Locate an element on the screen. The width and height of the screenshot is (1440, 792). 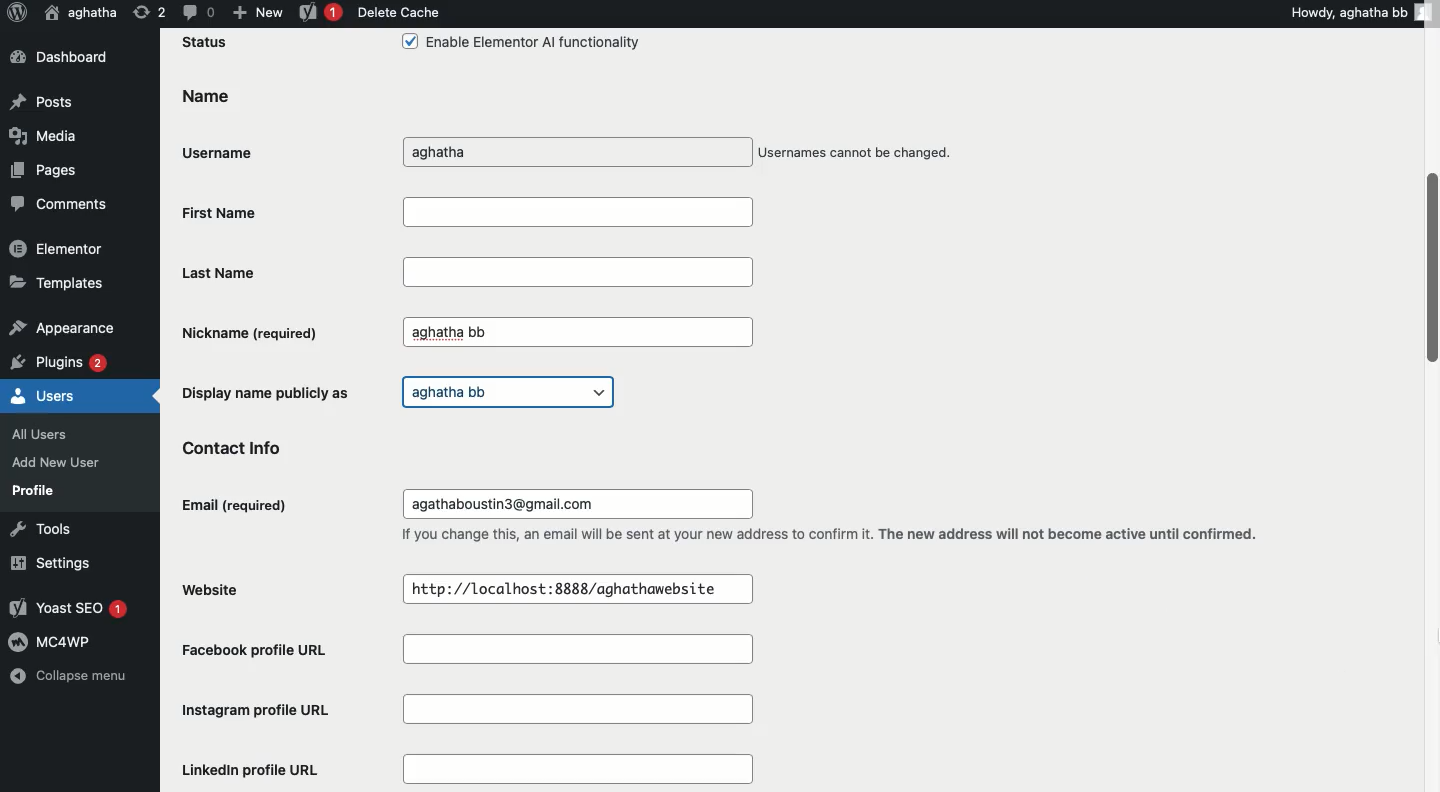
Settings is located at coordinates (47, 563).